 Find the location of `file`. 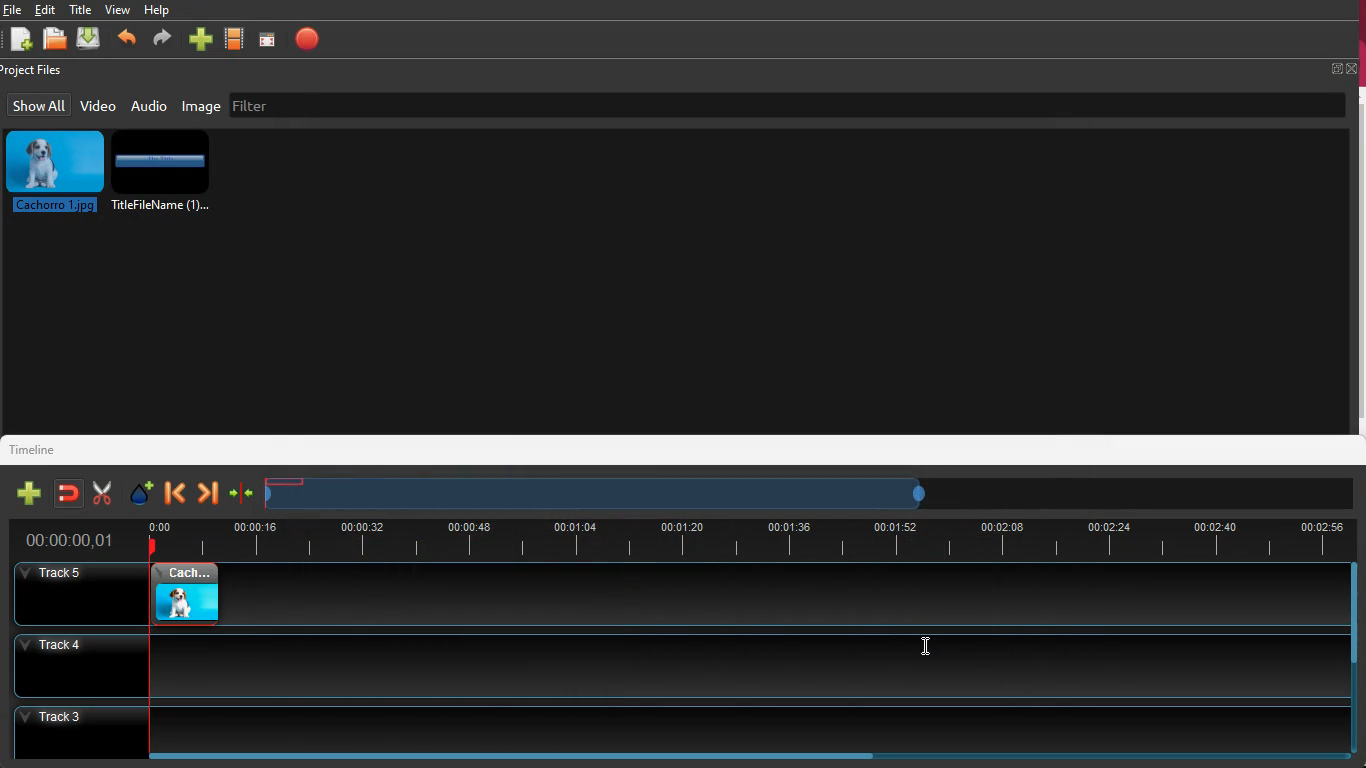

file is located at coordinates (13, 10).